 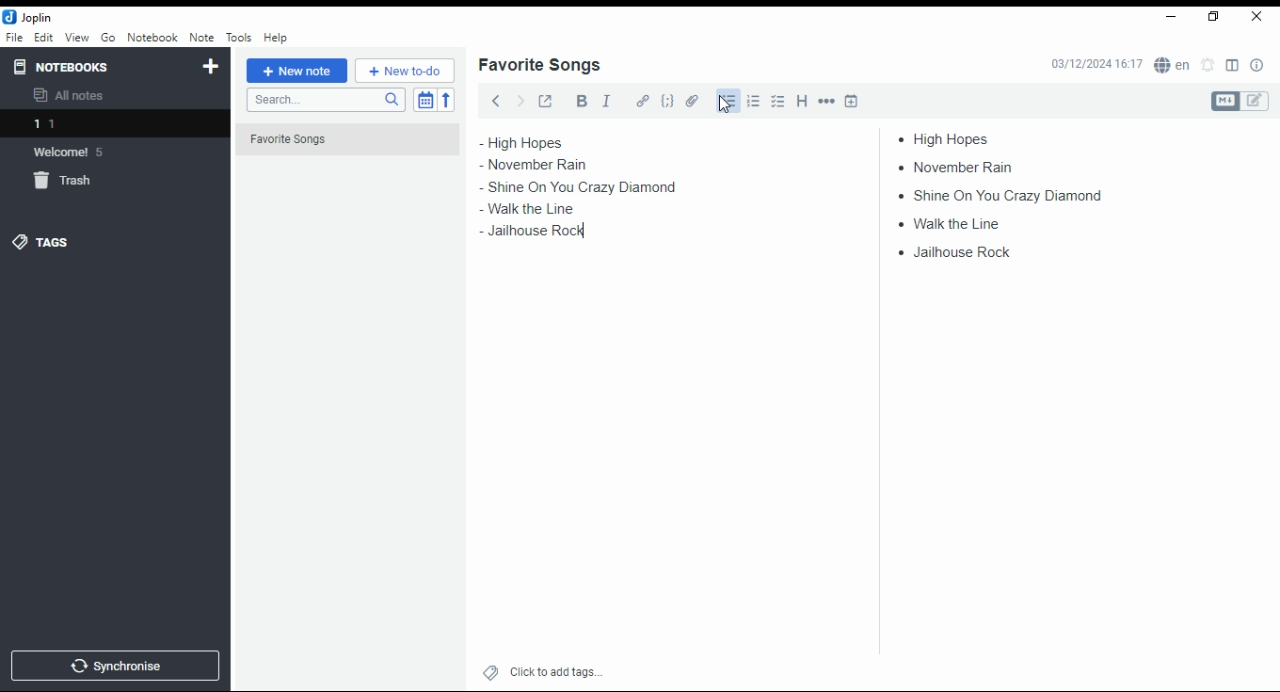 What do you see at coordinates (405, 71) in the screenshot?
I see `New to-do` at bounding box center [405, 71].